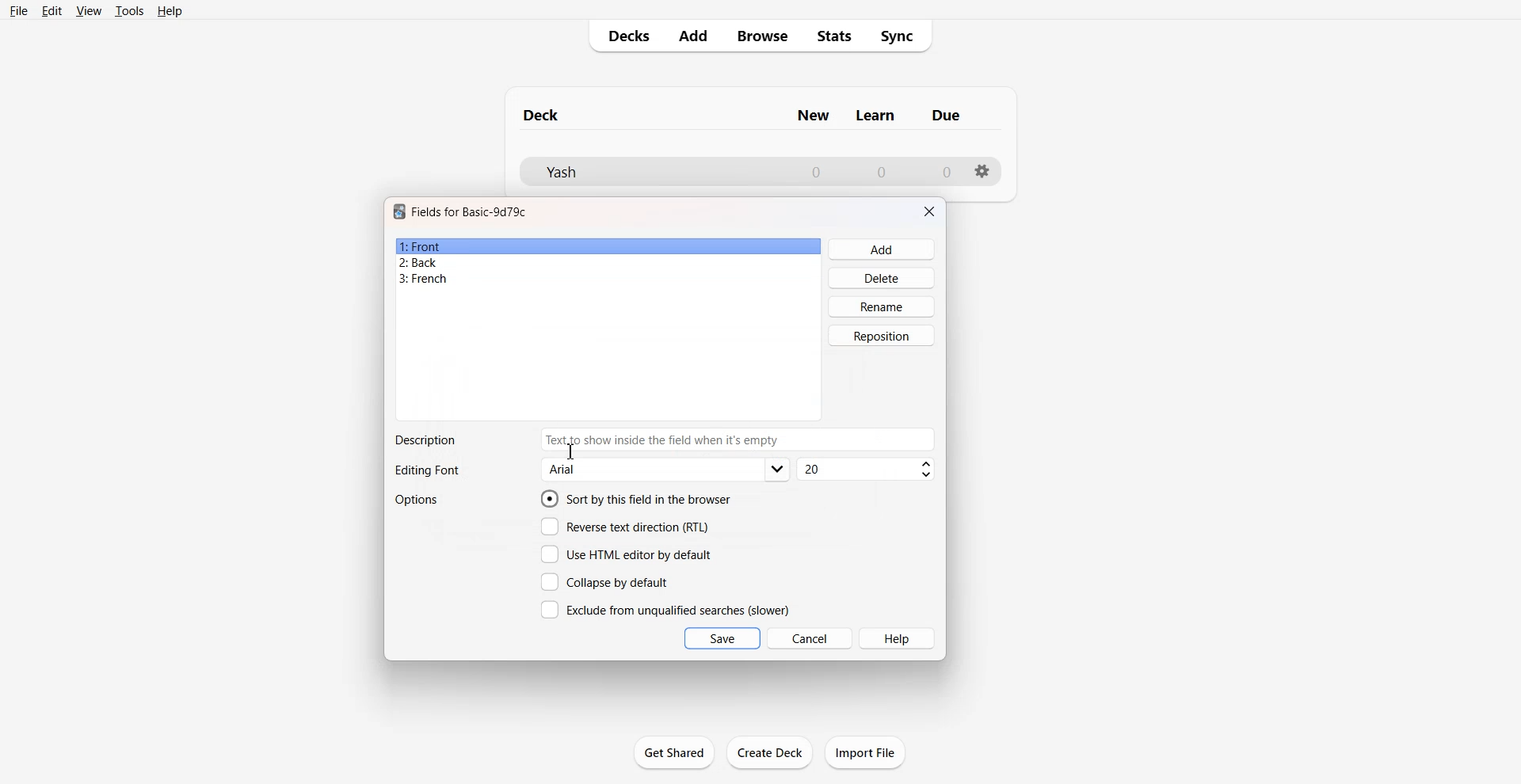 This screenshot has width=1521, height=784. I want to click on Enter Description, so click(739, 440).